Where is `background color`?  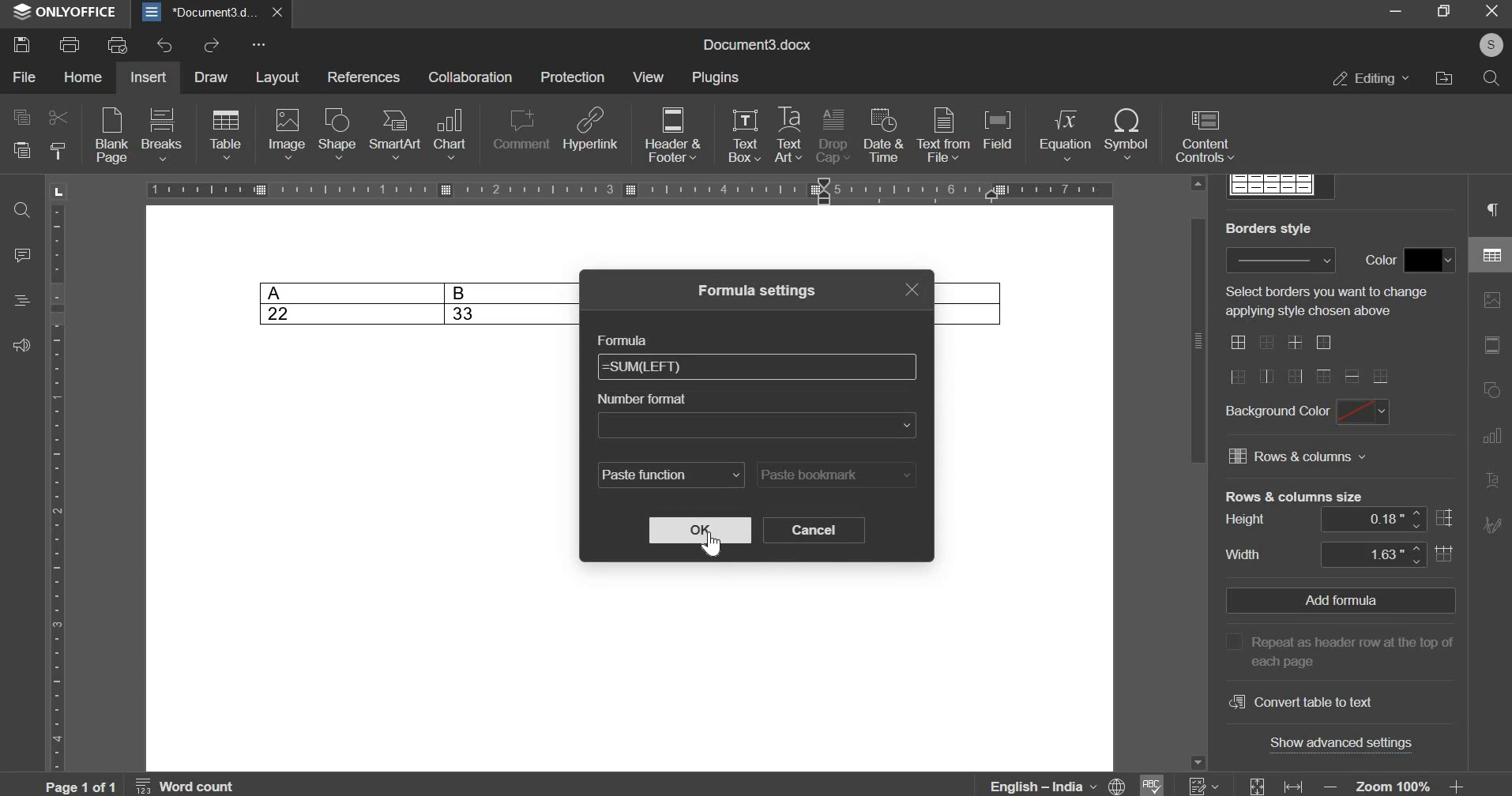
background color is located at coordinates (1276, 413).